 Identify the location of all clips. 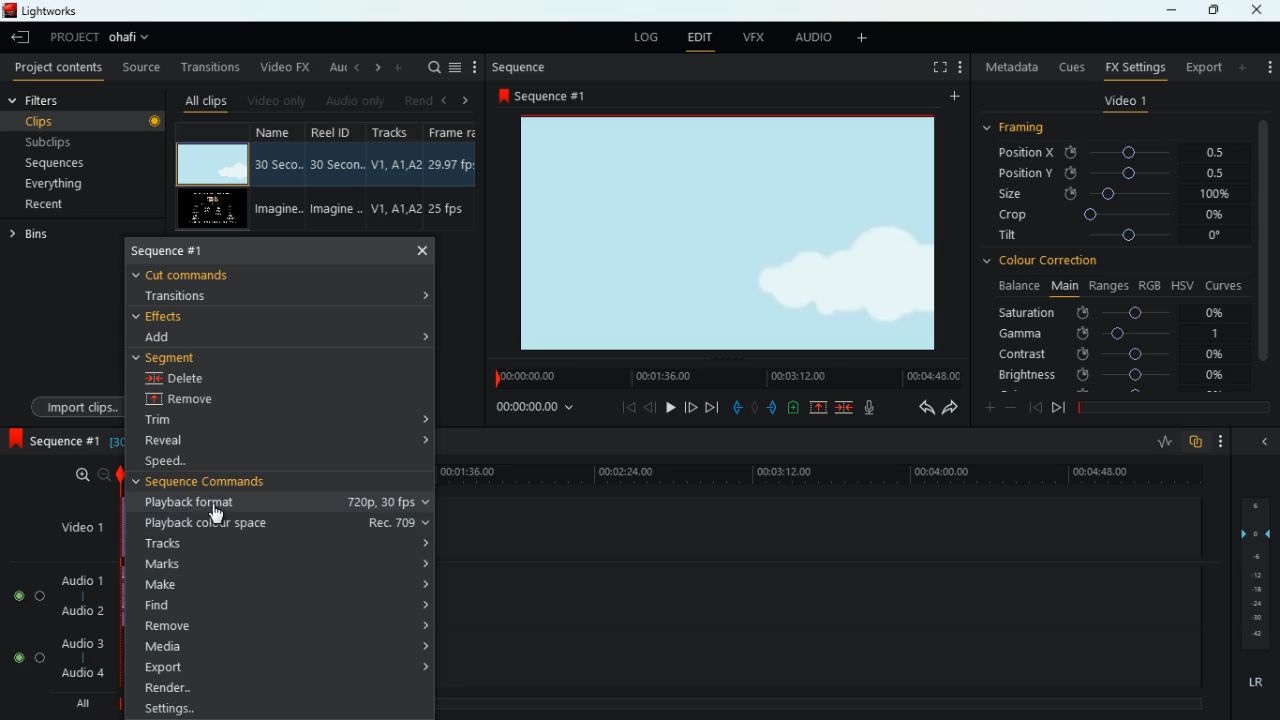
(203, 102).